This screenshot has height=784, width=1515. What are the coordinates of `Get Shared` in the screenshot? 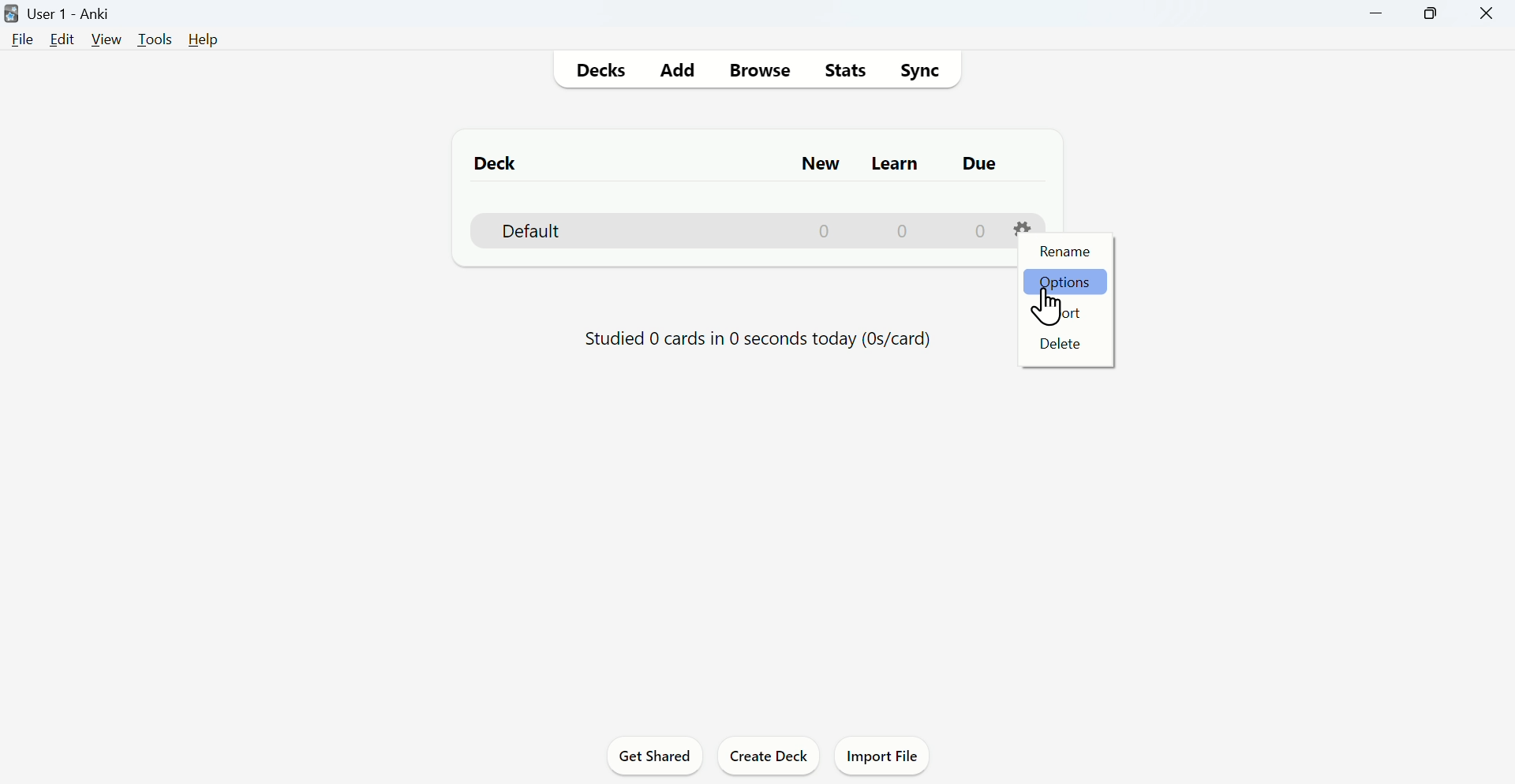 It's located at (656, 755).